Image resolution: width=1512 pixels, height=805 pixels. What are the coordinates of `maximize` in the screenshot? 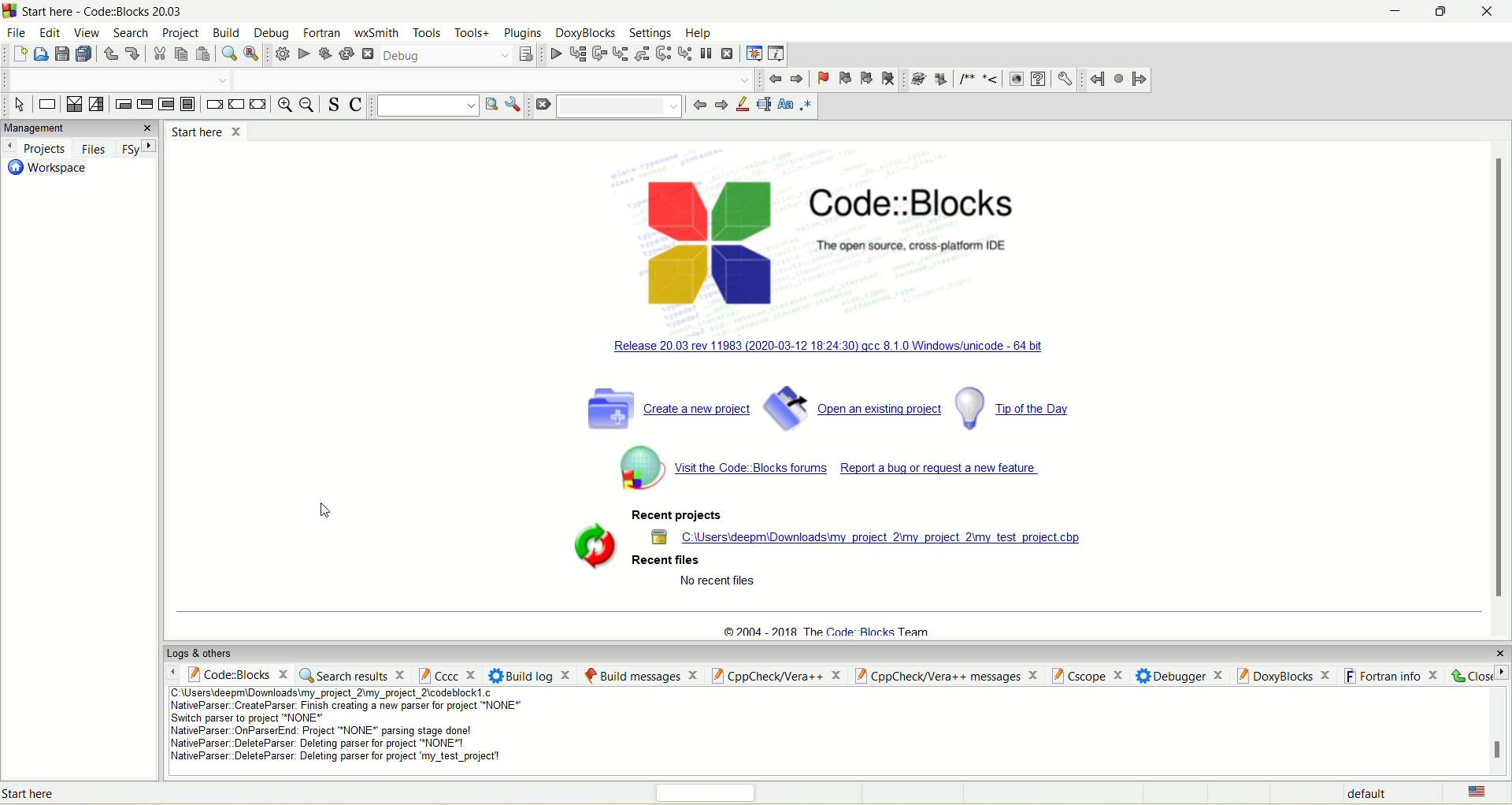 It's located at (1445, 11).